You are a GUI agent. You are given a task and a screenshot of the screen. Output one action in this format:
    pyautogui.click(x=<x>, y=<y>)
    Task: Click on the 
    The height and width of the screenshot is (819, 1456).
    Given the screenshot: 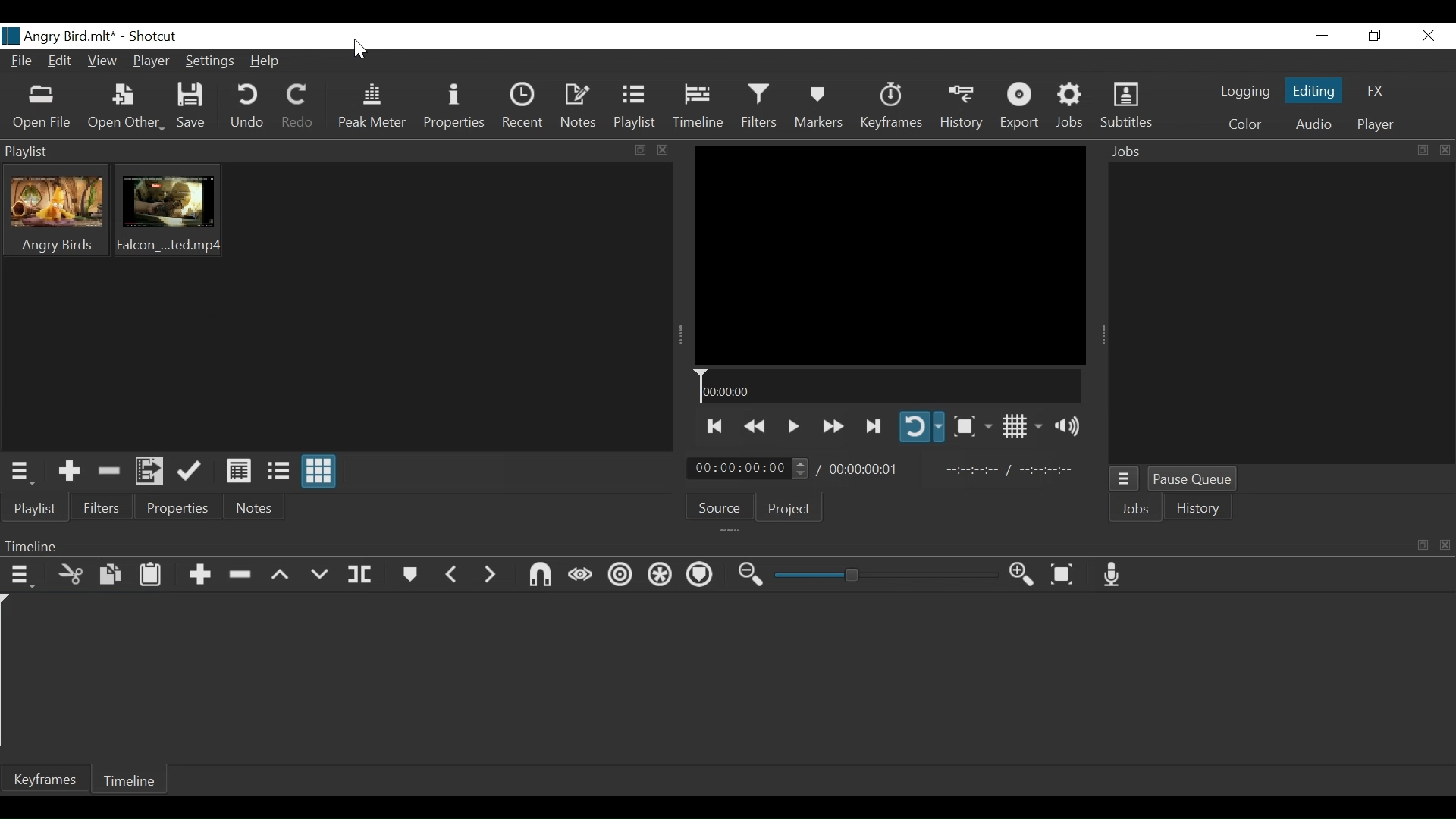 What is the action you would take?
    pyautogui.click(x=453, y=107)
    